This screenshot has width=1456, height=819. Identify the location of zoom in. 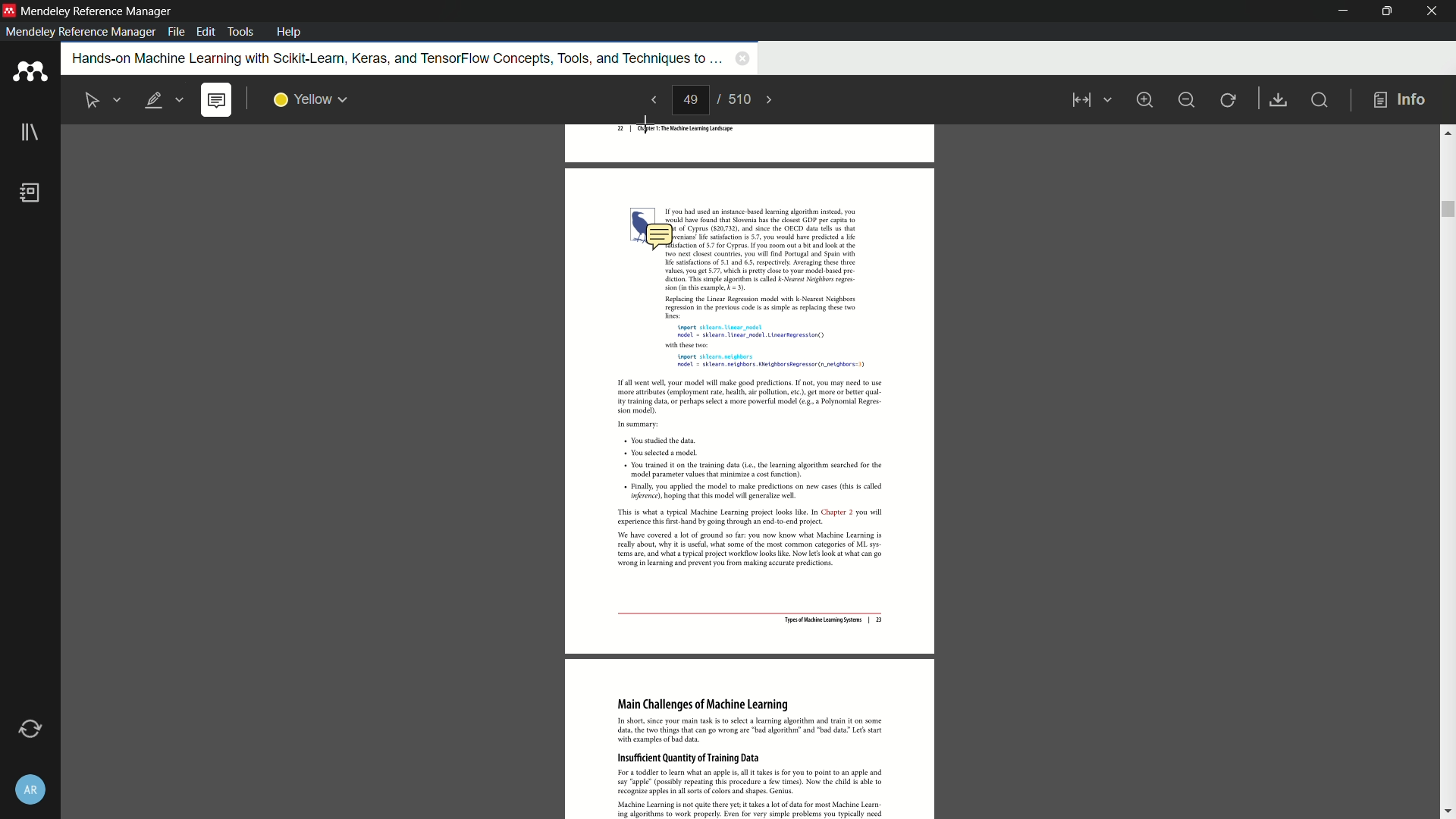
(1145, 99).